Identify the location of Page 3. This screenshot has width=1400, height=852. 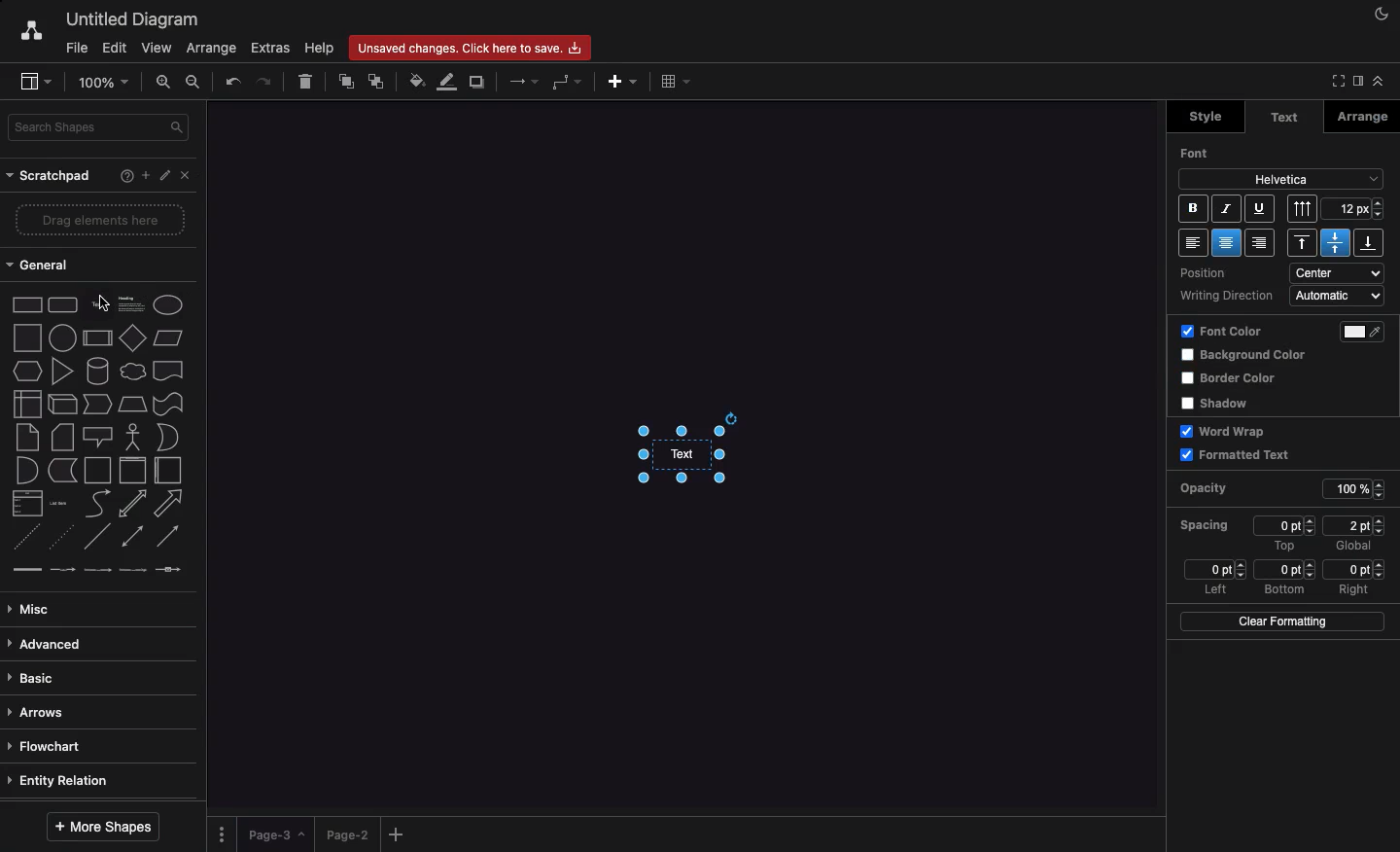
(274, 834).